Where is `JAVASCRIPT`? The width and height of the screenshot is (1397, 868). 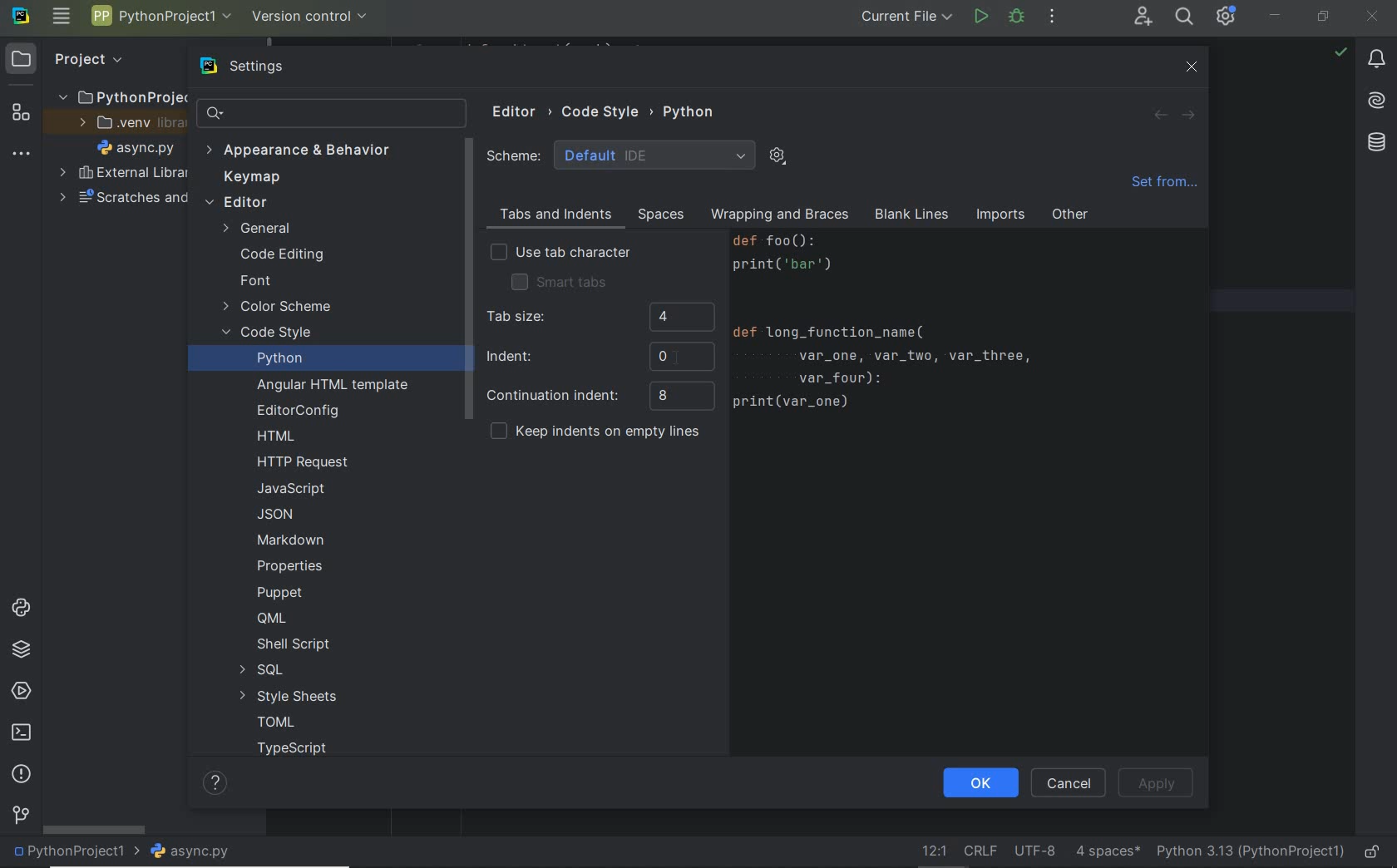
JAVASCRIPT is located at coordinates (289, 489).